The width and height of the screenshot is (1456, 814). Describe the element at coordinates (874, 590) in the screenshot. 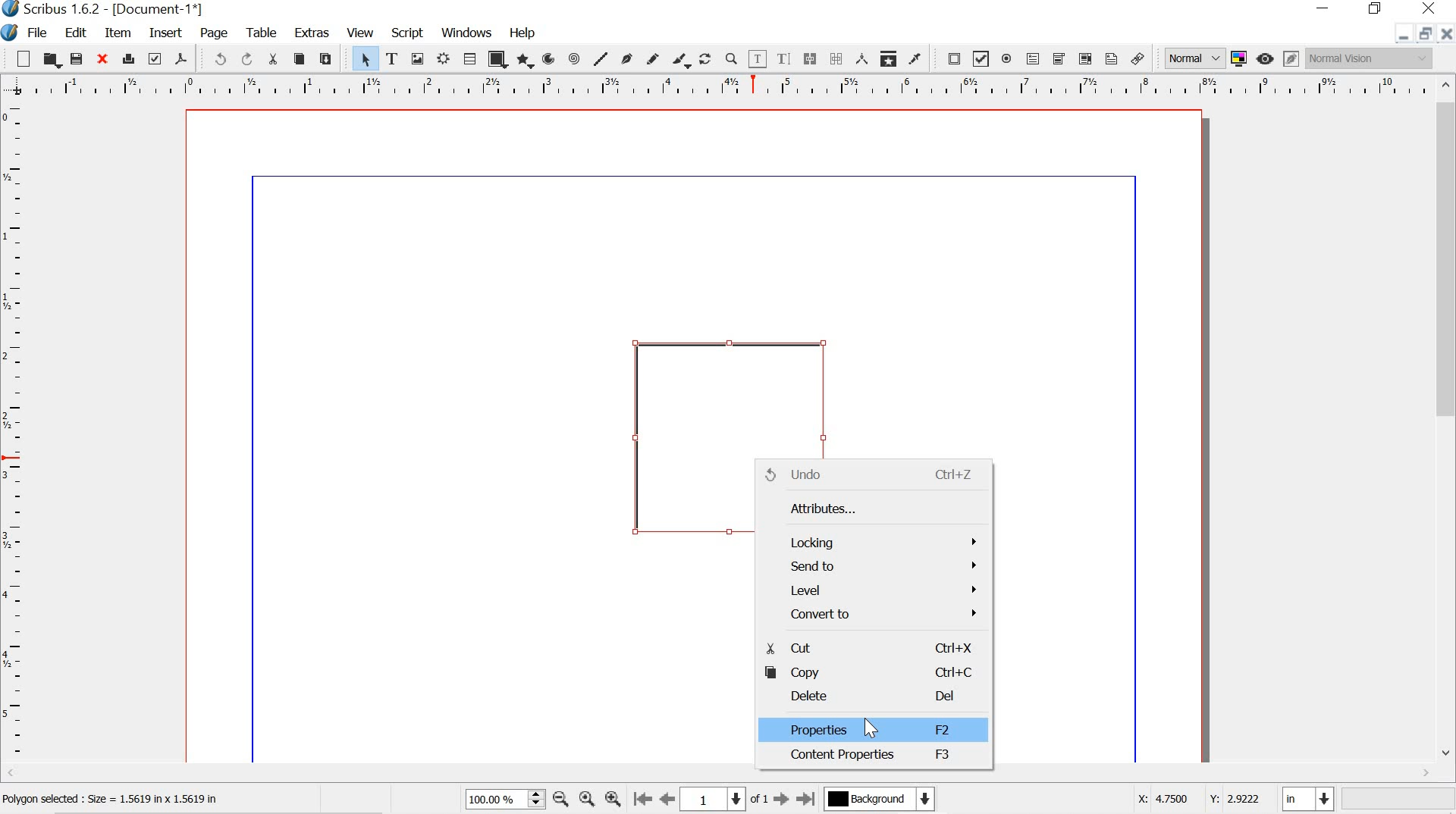

I see `level` at that location.